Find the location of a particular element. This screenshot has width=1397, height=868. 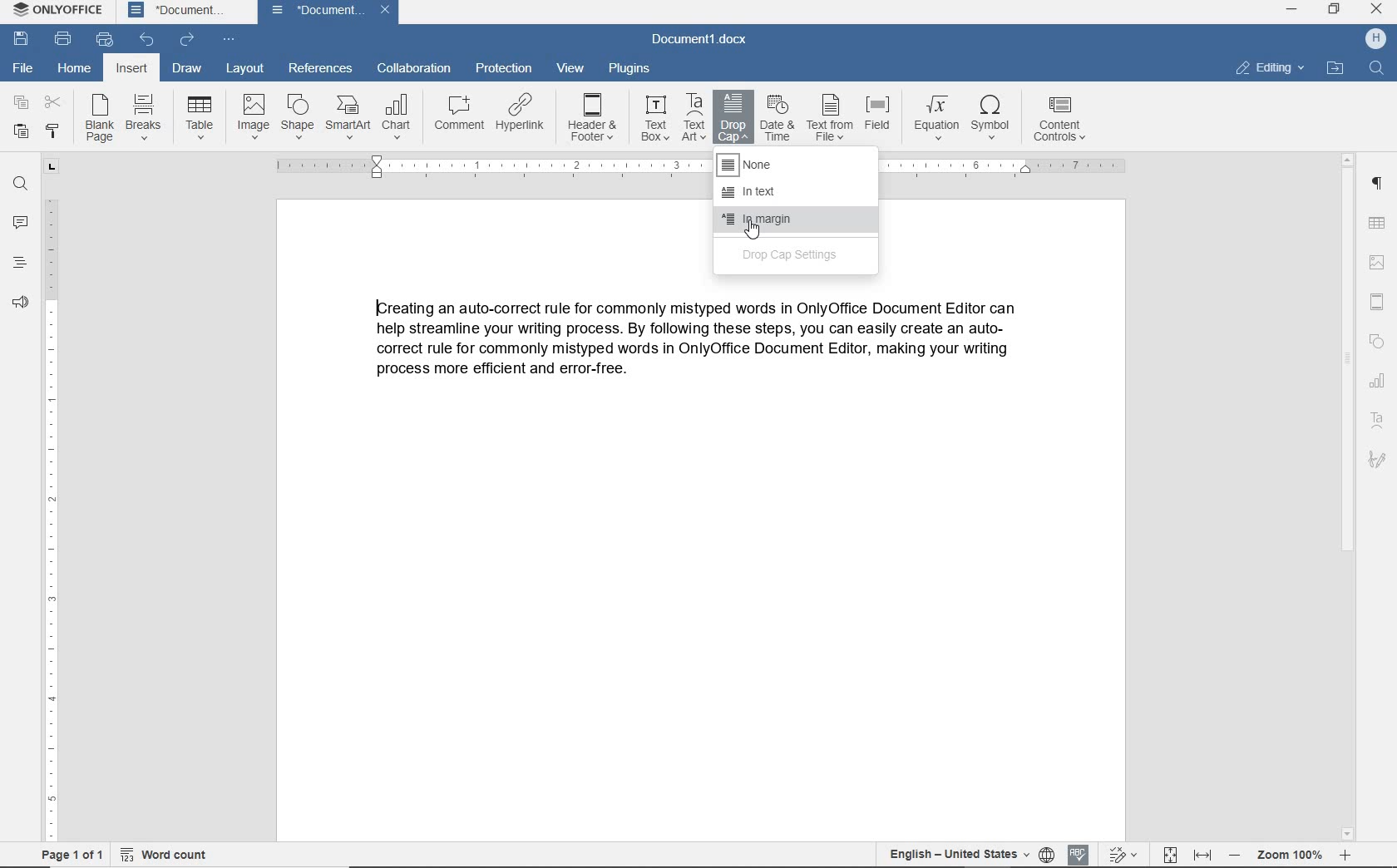

Fit to width is located at coordinates (1201, 853).